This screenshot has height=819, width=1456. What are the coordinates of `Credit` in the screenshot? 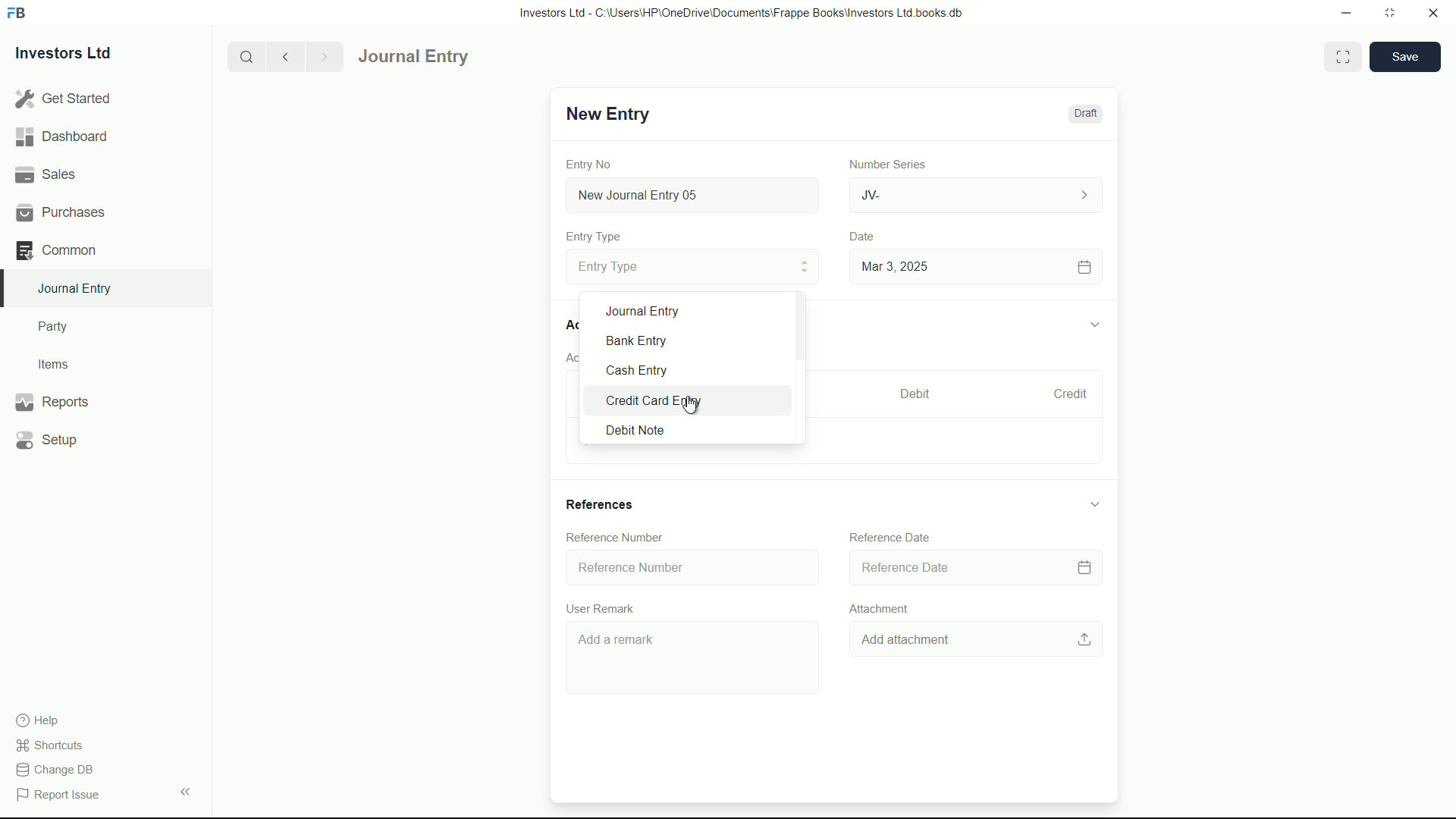 It's located at (1064, 394).